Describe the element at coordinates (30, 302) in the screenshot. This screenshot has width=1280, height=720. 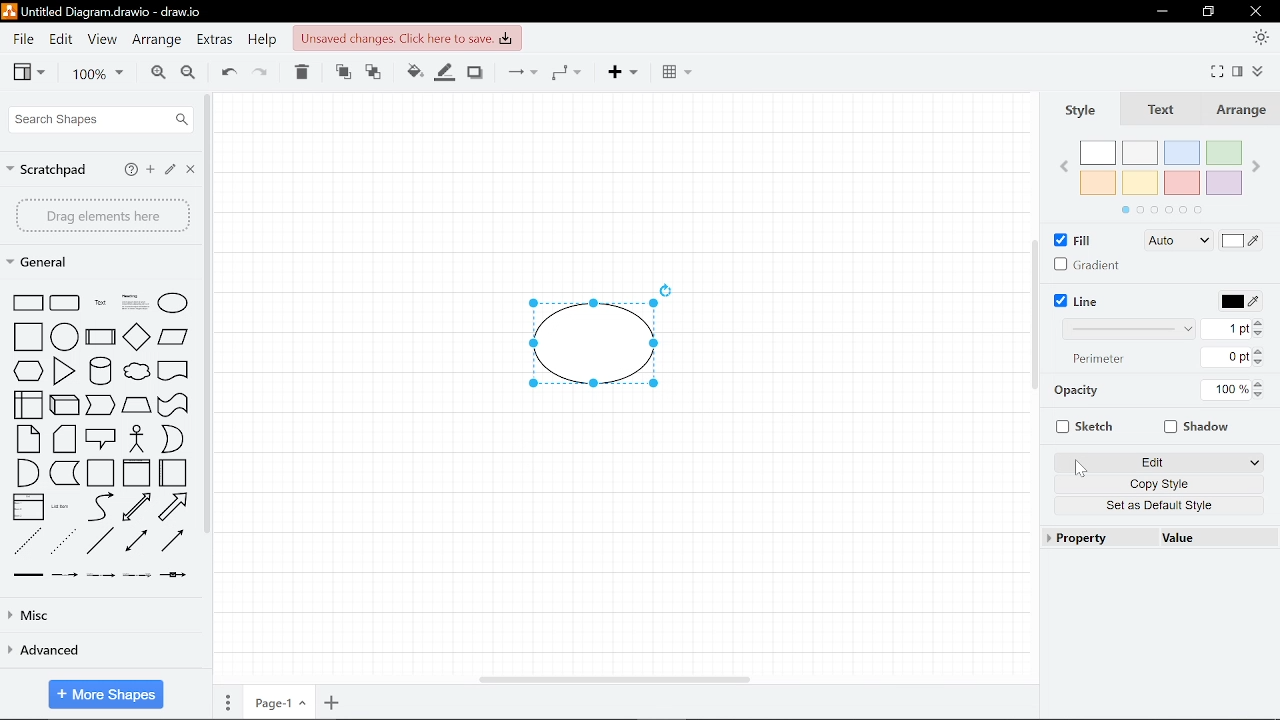
I see `rectangle` at that location.